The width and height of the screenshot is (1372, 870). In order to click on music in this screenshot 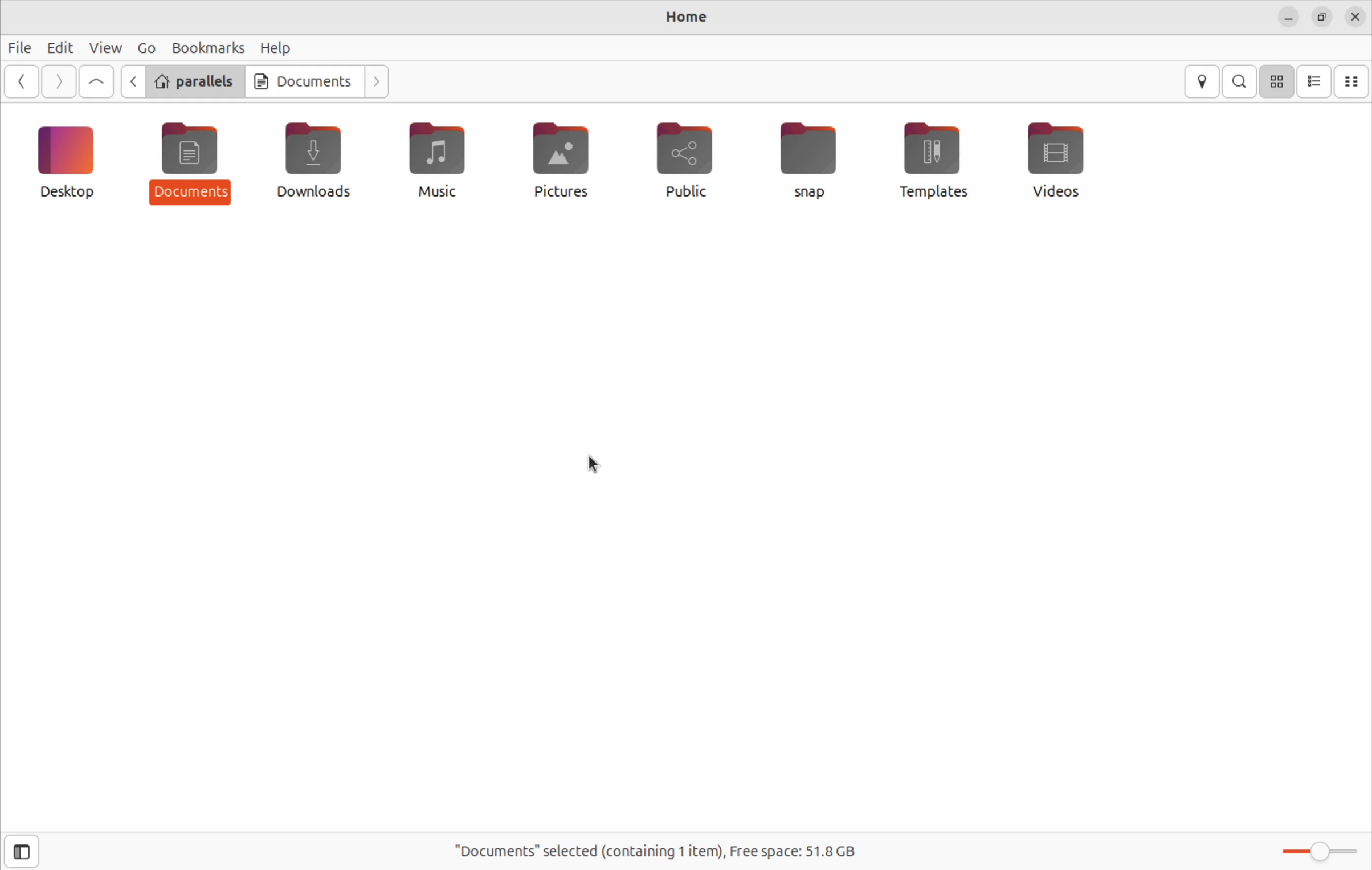, I will do `click(438, 160)`.